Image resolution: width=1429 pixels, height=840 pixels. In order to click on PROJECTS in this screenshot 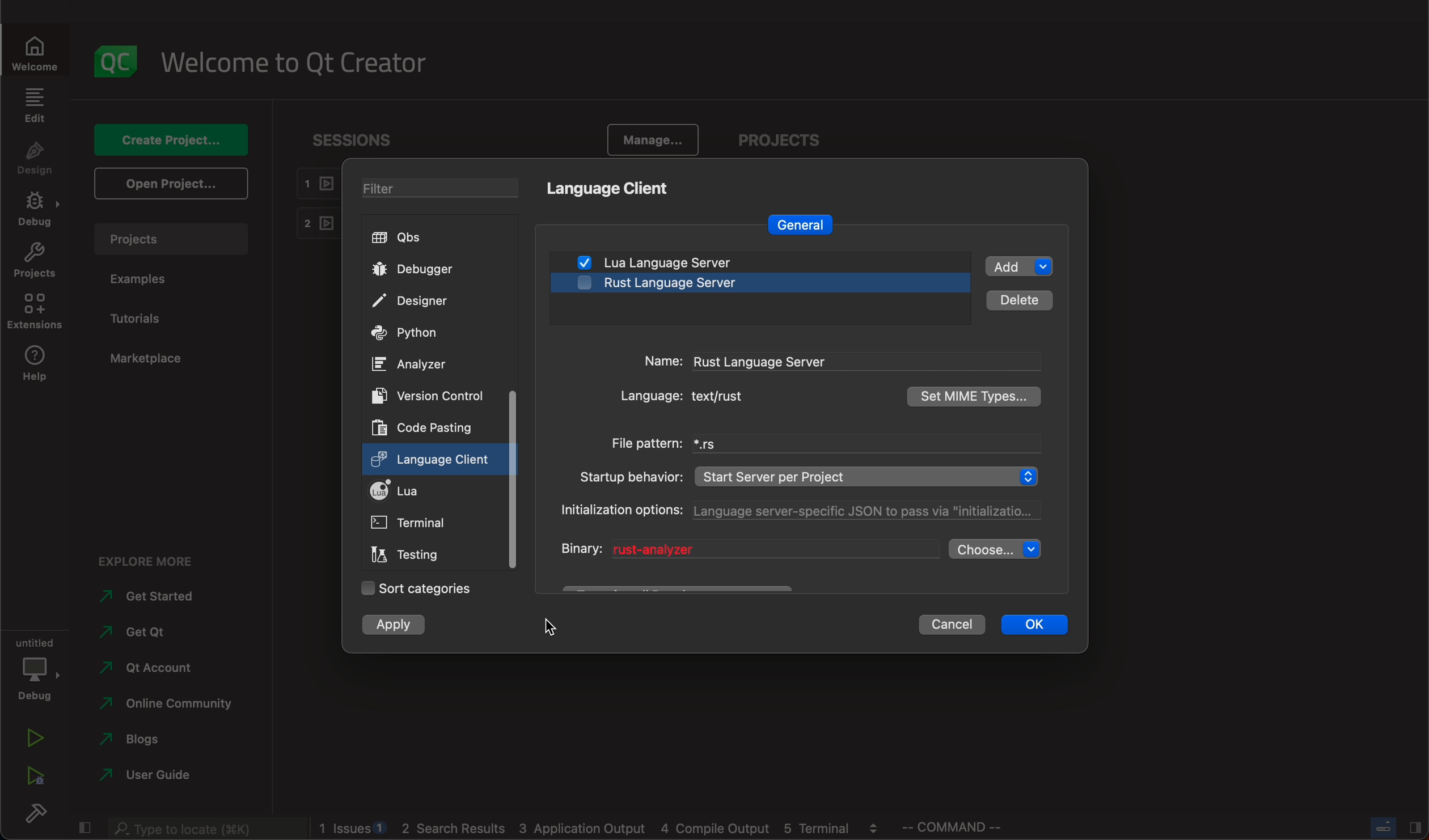, I will do `click(785, 142)`.